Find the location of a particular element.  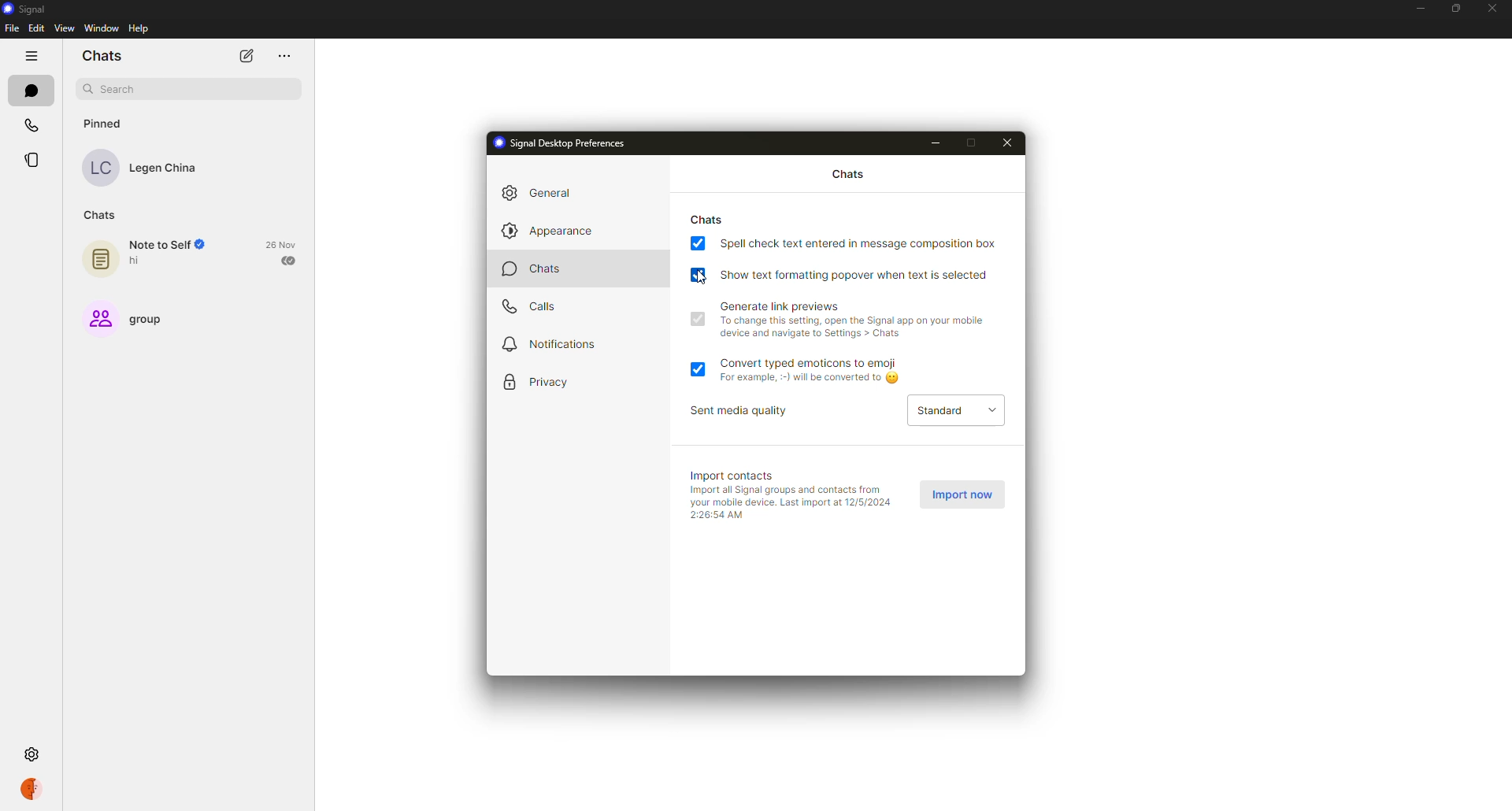

search is located at coordinates (187, 91).